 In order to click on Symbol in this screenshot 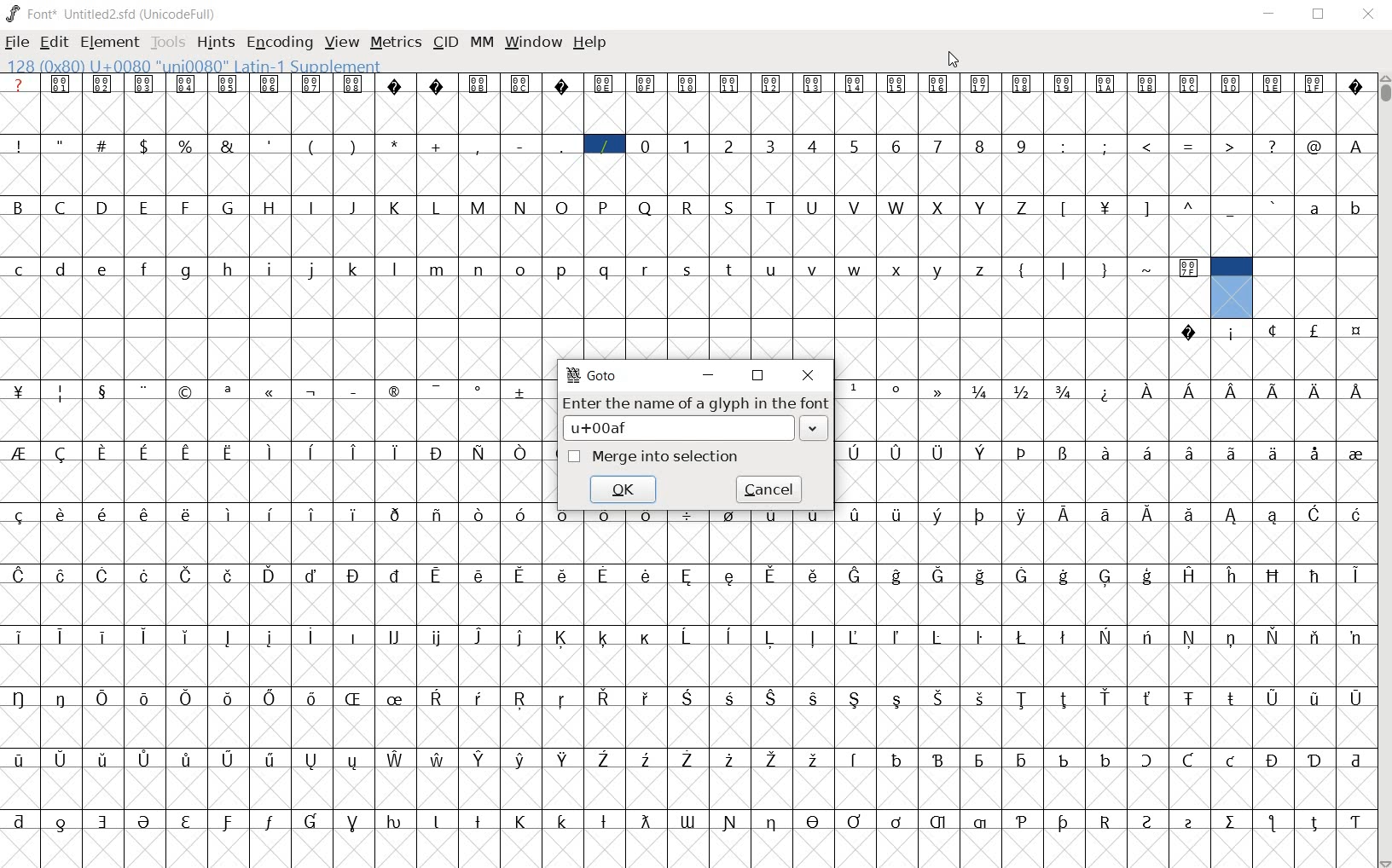, I will do `click(229, 697)`.